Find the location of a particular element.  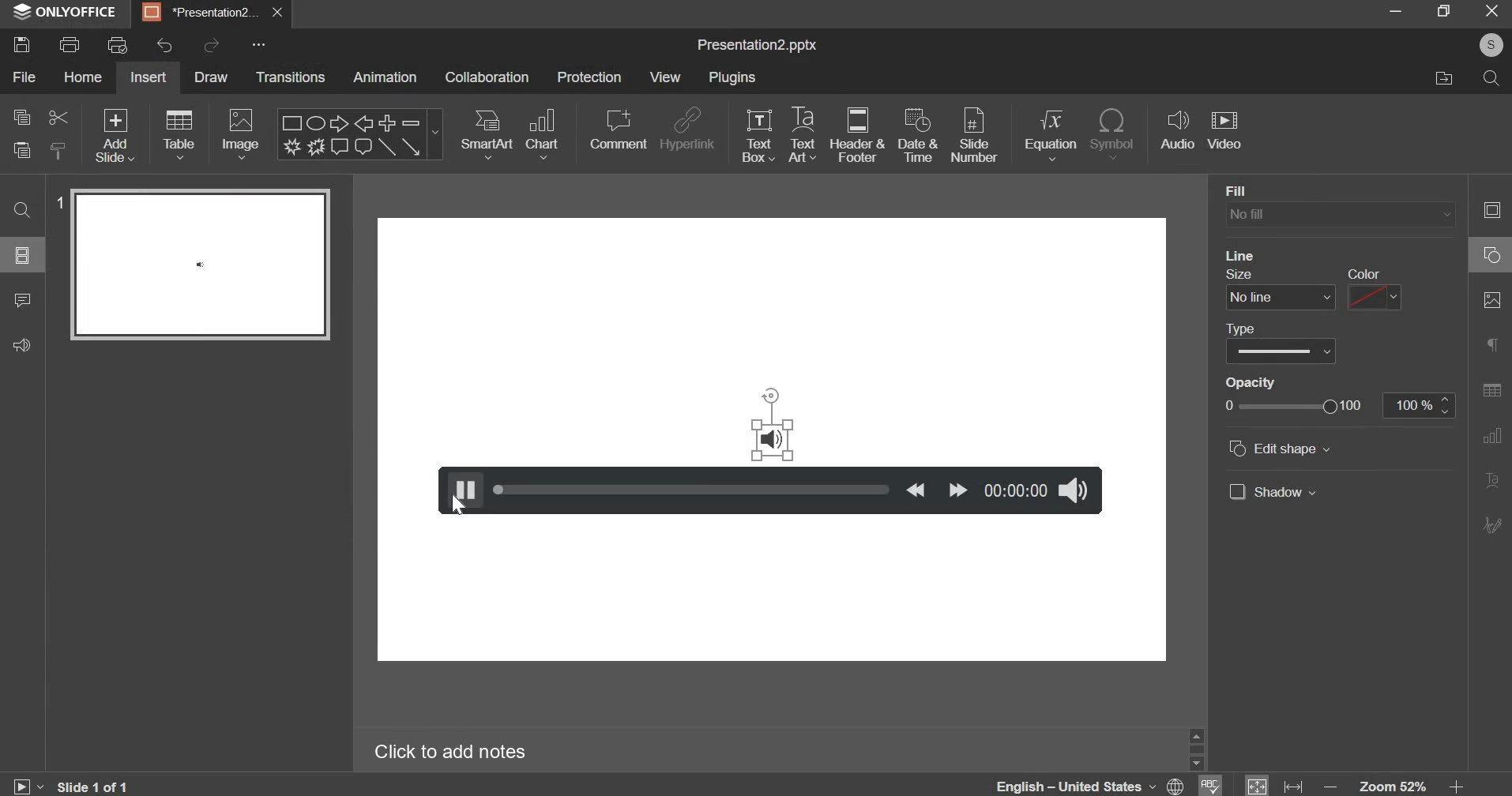

account holder is located at coordinates (1491, 45).